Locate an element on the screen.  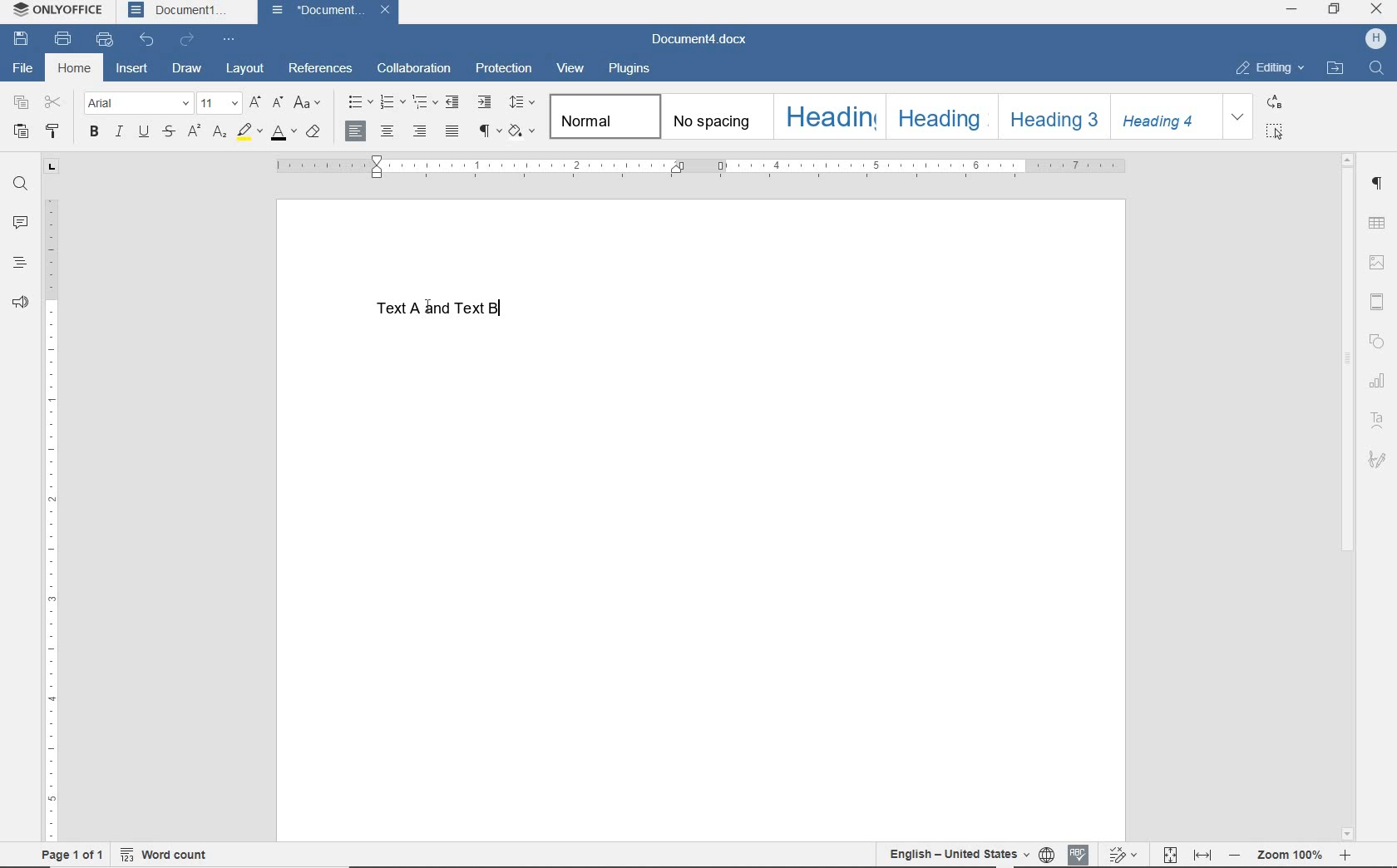
ALIGN CENTER is located at coordinates (388, 132).